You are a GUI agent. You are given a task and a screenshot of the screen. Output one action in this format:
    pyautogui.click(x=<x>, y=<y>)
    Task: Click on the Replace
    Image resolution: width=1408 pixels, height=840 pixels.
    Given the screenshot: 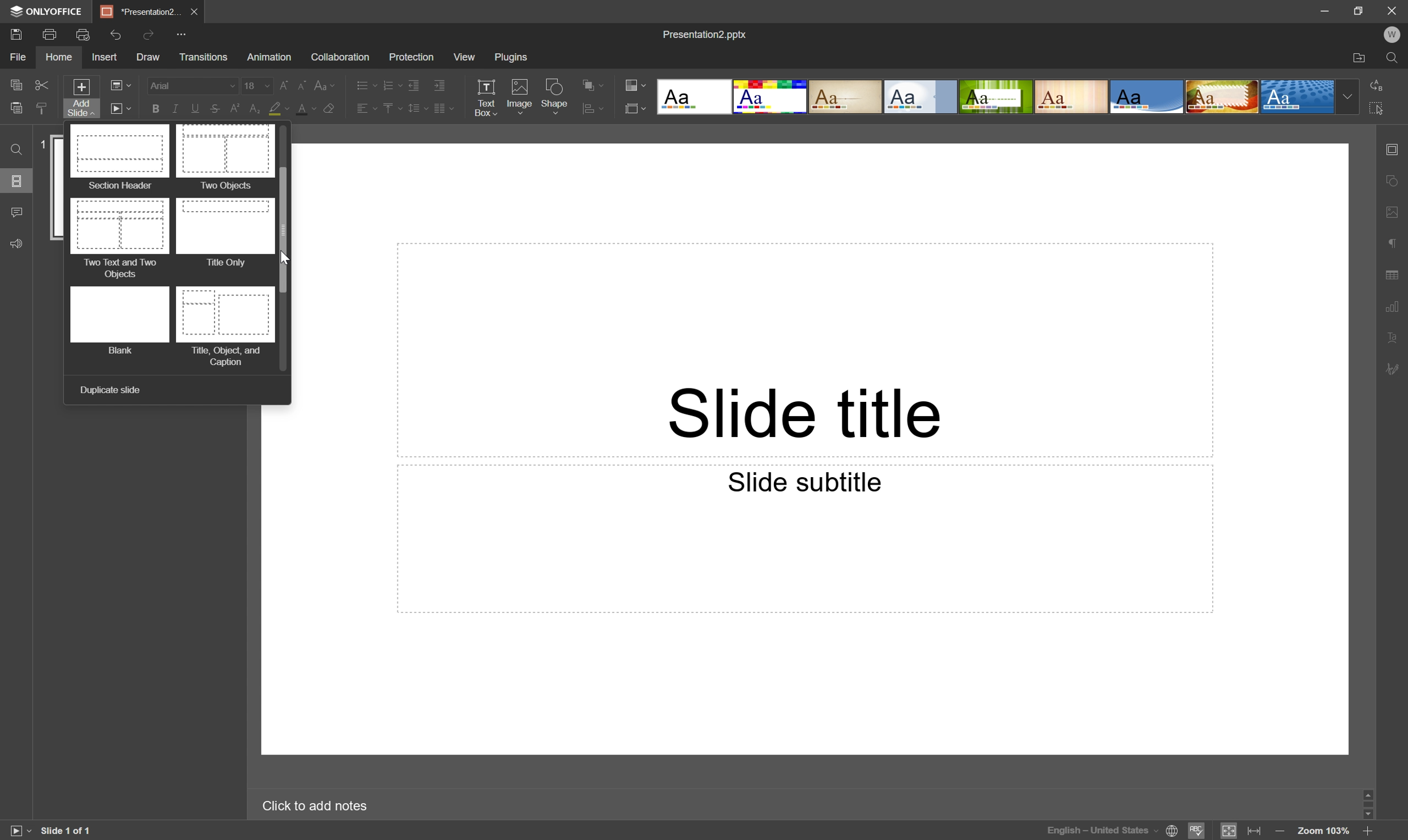 What is the action you would take?
    pyautogui.click(x=1381, y=85)
    